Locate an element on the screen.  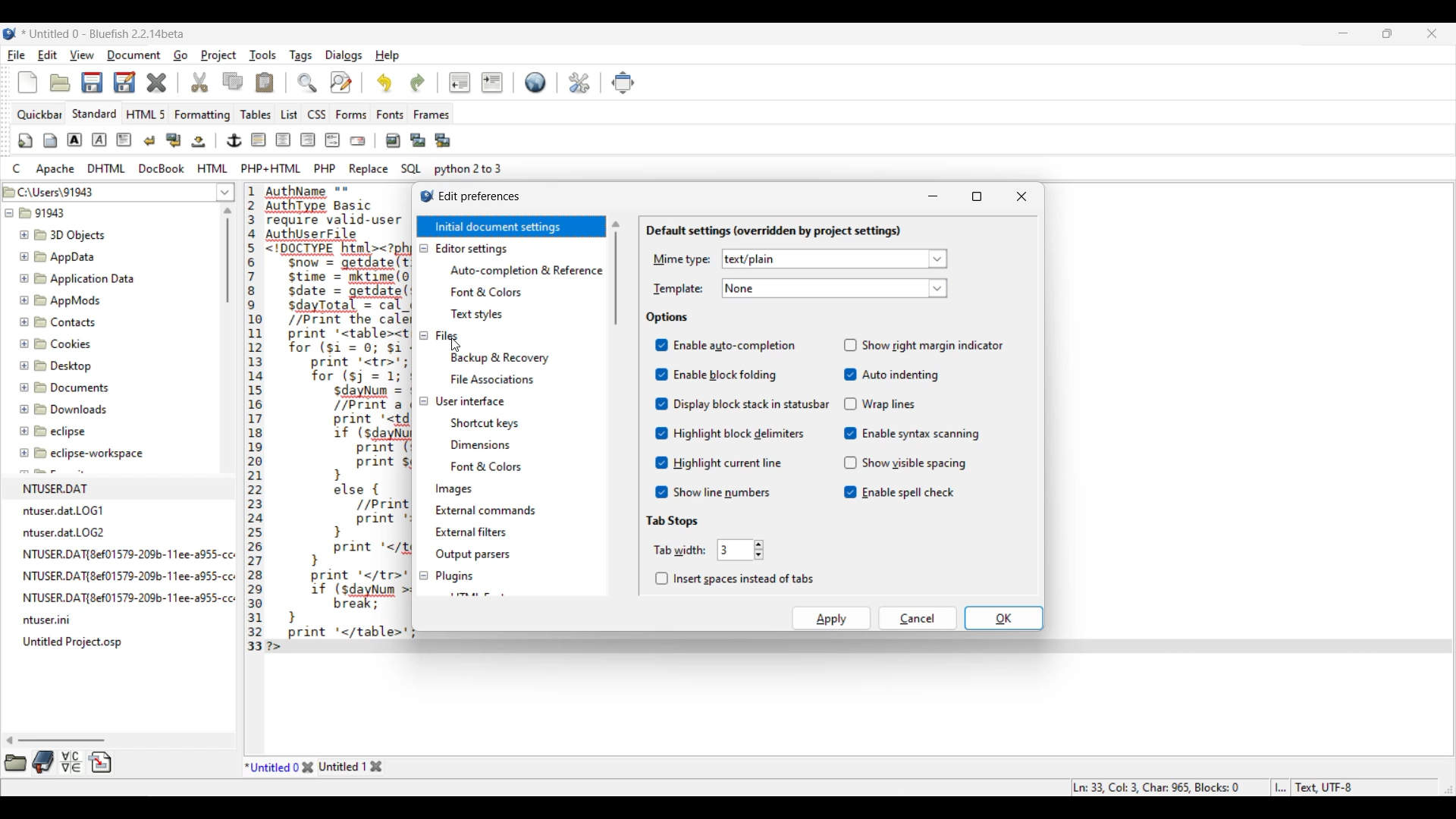
Close tab is located at coordinates (308, 767).